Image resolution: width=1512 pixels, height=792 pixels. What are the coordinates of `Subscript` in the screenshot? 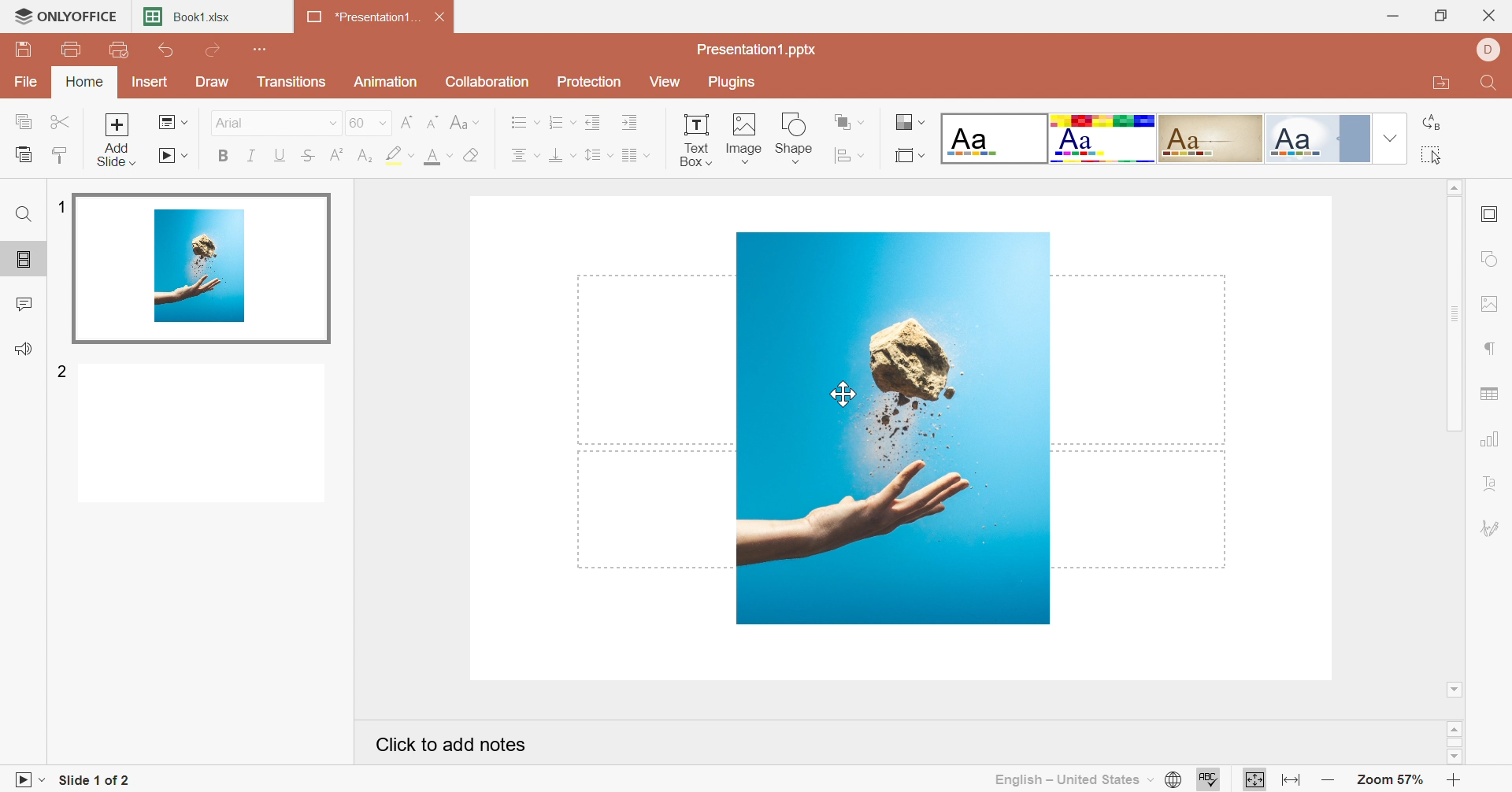 It's located at (365, 156).